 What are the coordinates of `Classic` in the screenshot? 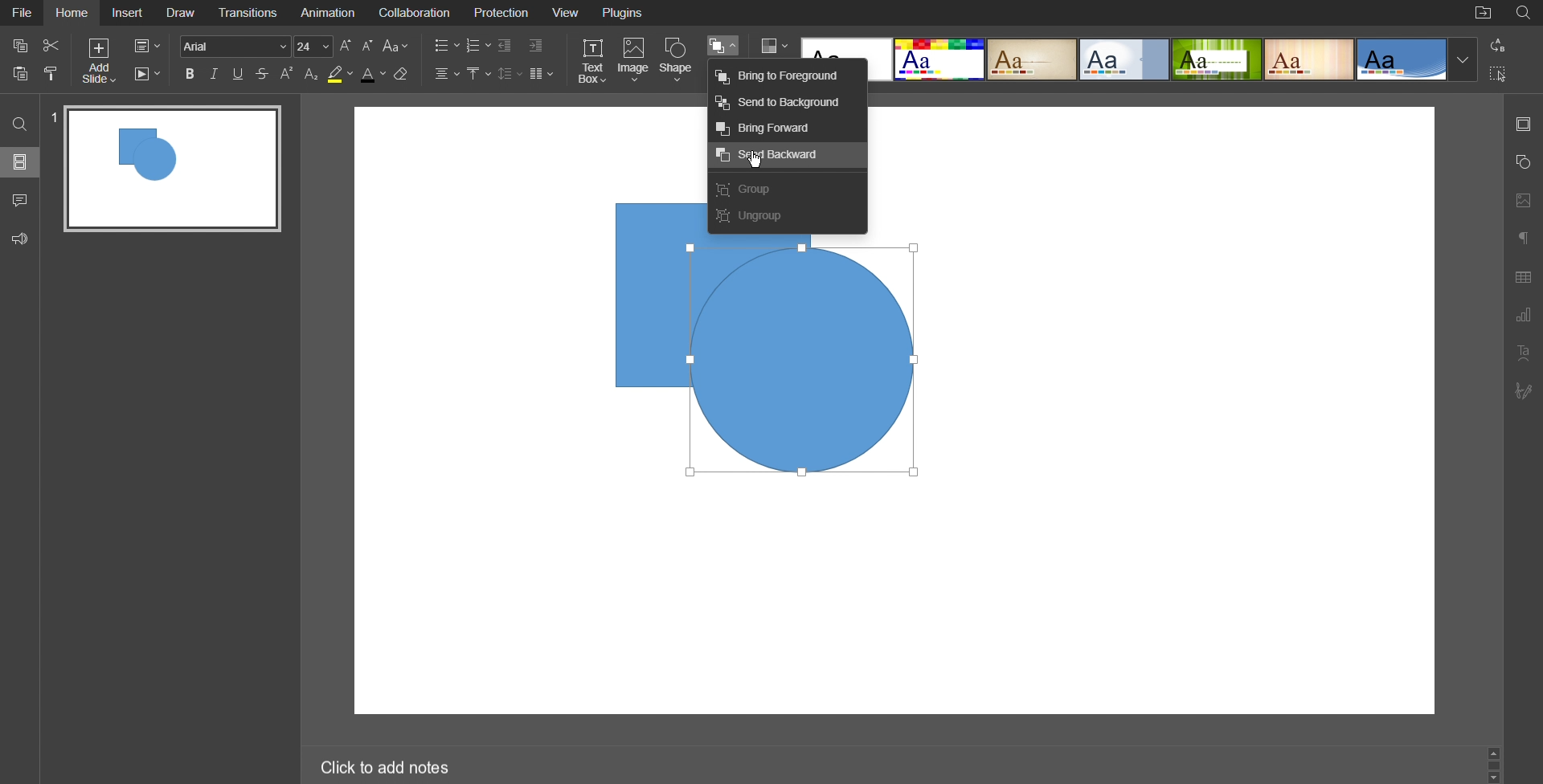 It's located at (1033, 59).